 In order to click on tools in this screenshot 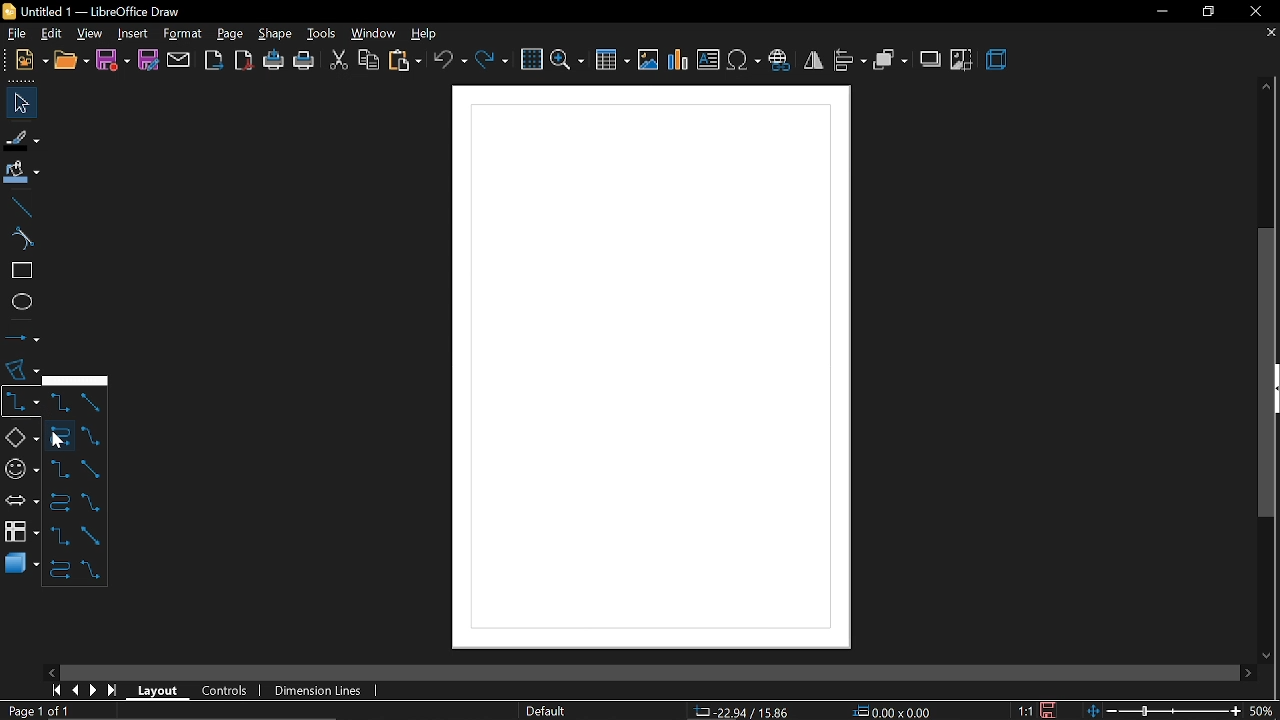, I will do `click(319, 33)`.